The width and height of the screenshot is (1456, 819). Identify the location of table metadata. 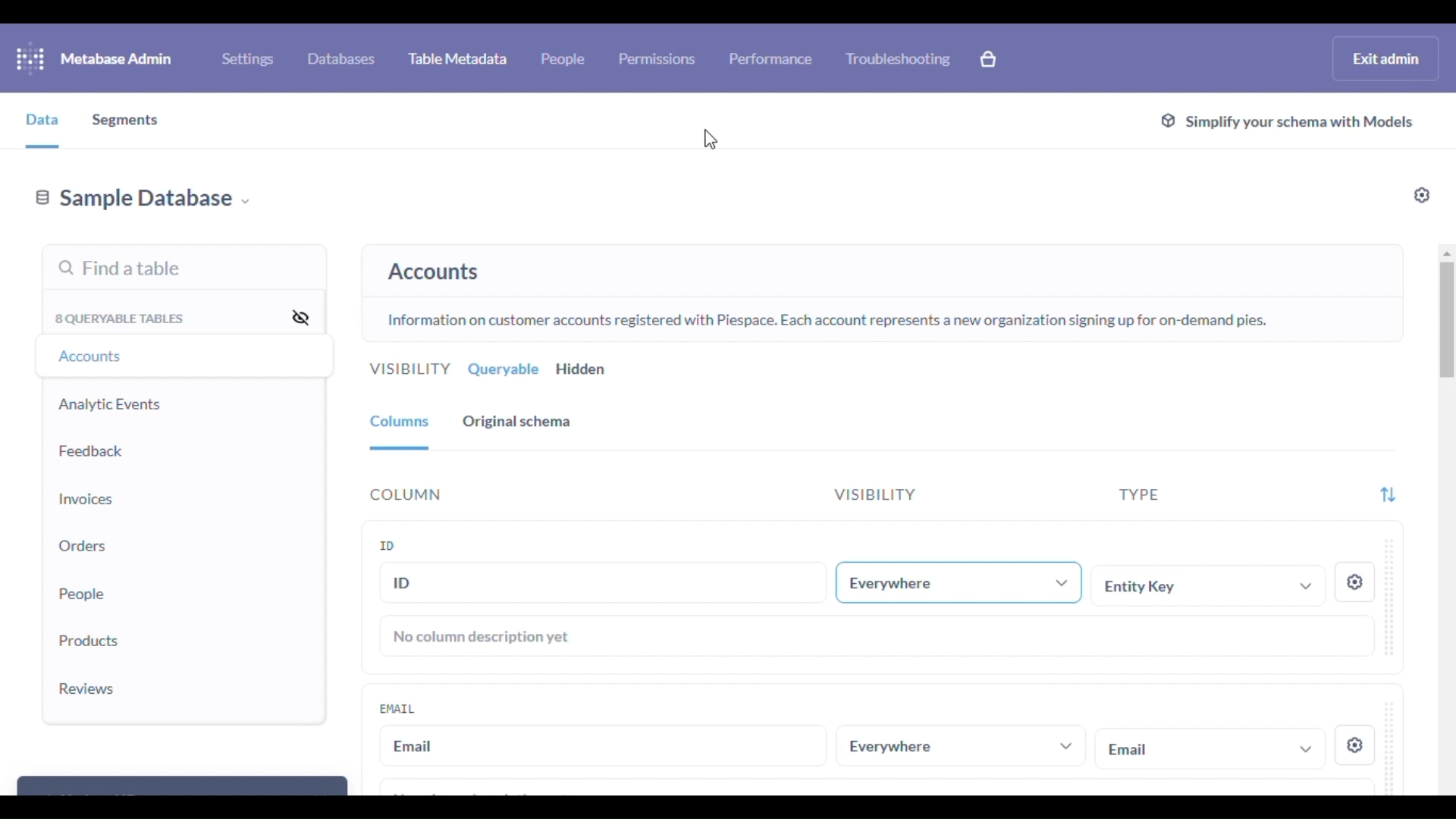
(458, 58).